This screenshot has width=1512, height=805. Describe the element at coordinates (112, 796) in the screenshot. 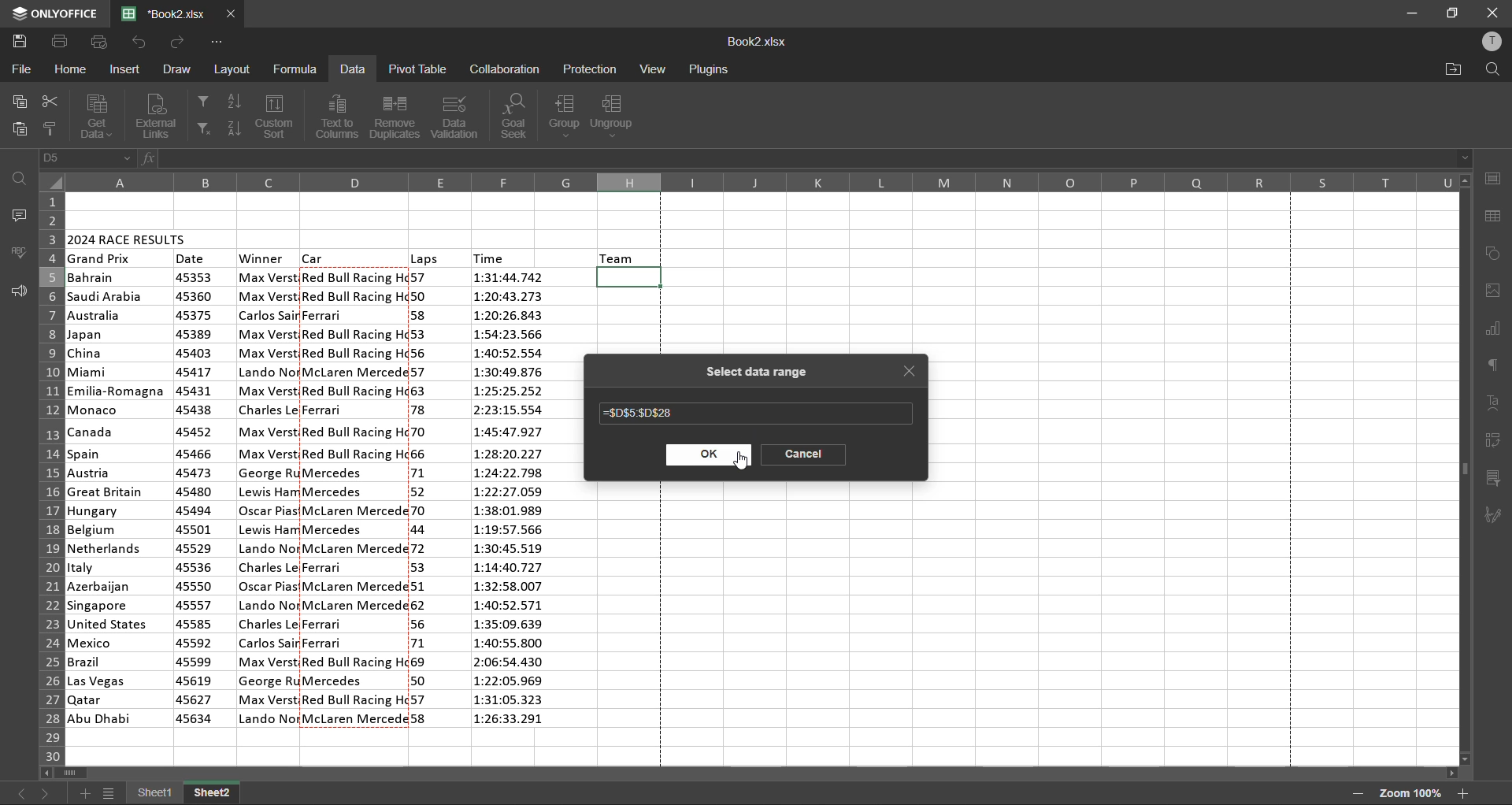

I see `sheet list` at that location.